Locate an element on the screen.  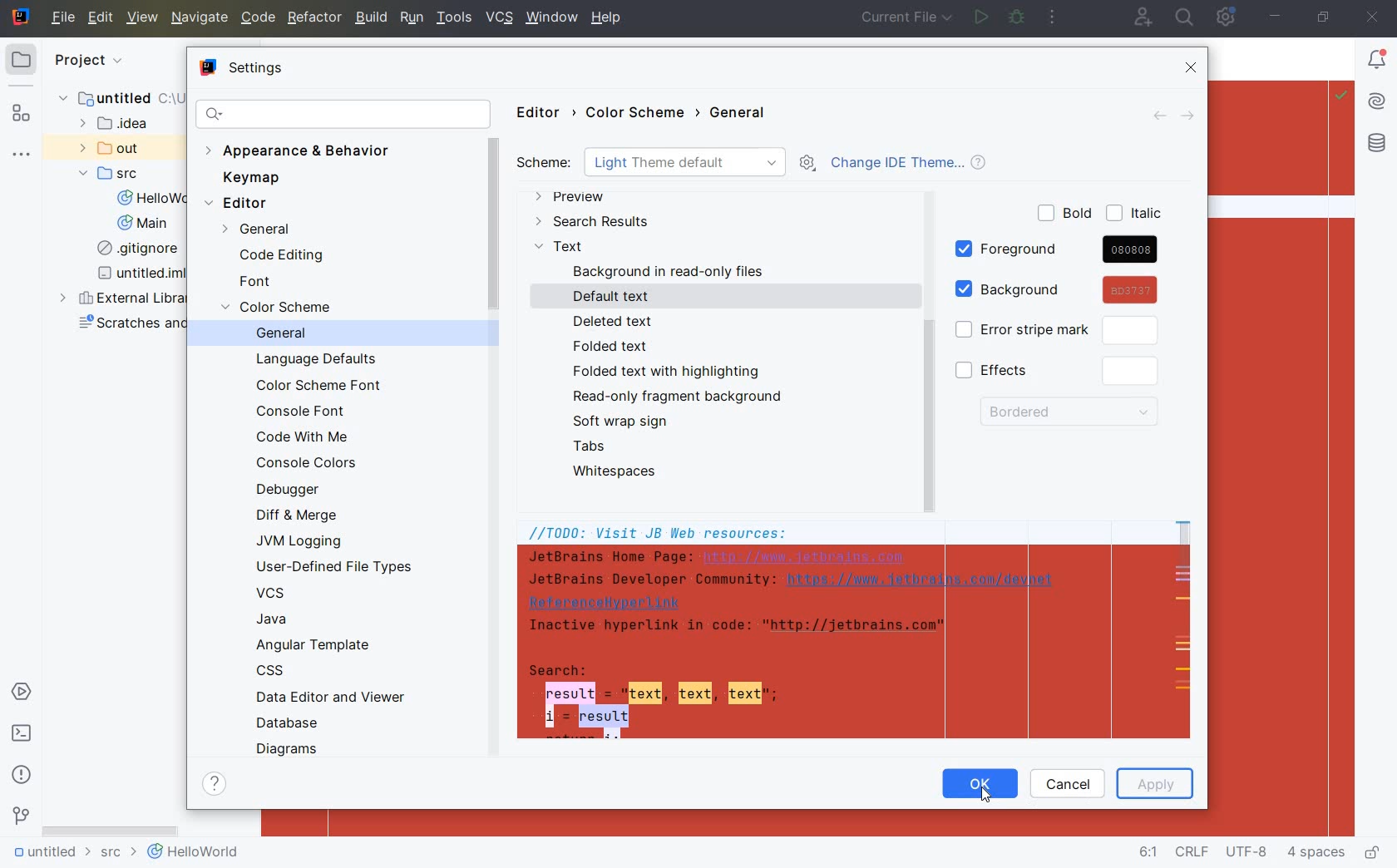
BACK is located at coordinates (1153, 116).